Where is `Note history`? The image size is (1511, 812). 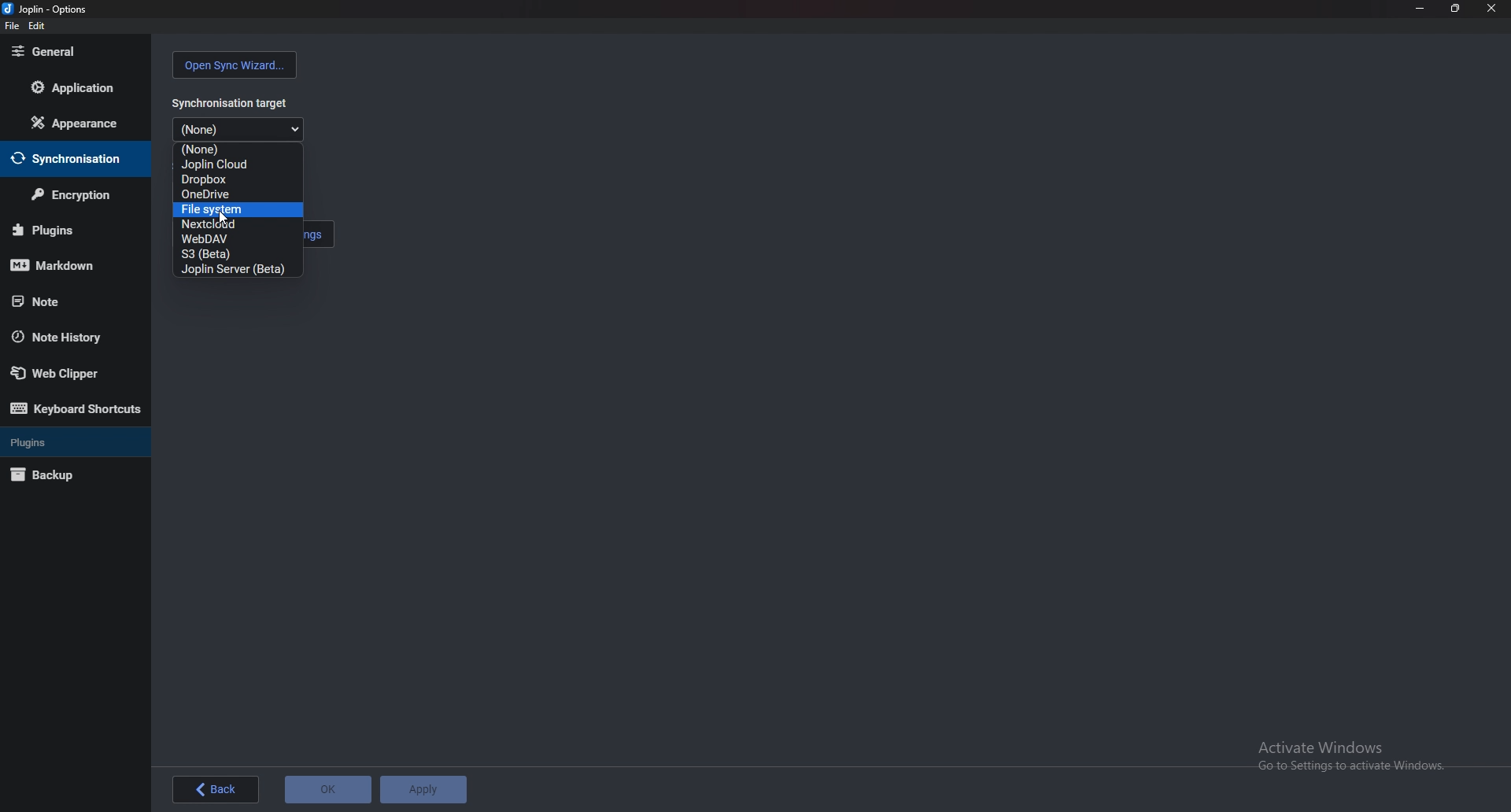
Note history is located at coordinates (74, 337).